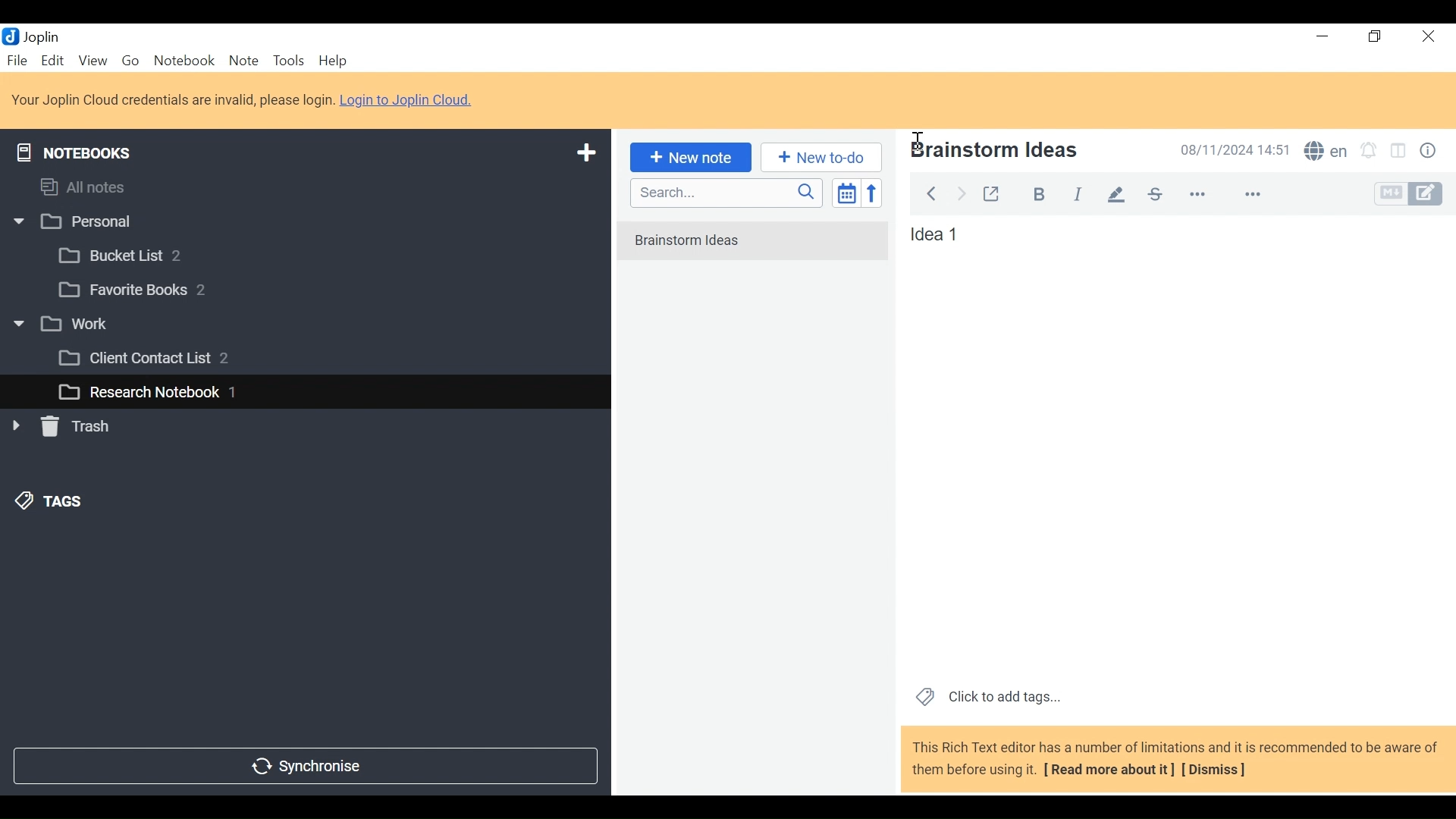 The width and height of the screenshot is (1456, 819). What do you see at coordinates (411, 100) in the screenshot?
I see `Login to Joplin Cloud` at bounding box center [411, 100].